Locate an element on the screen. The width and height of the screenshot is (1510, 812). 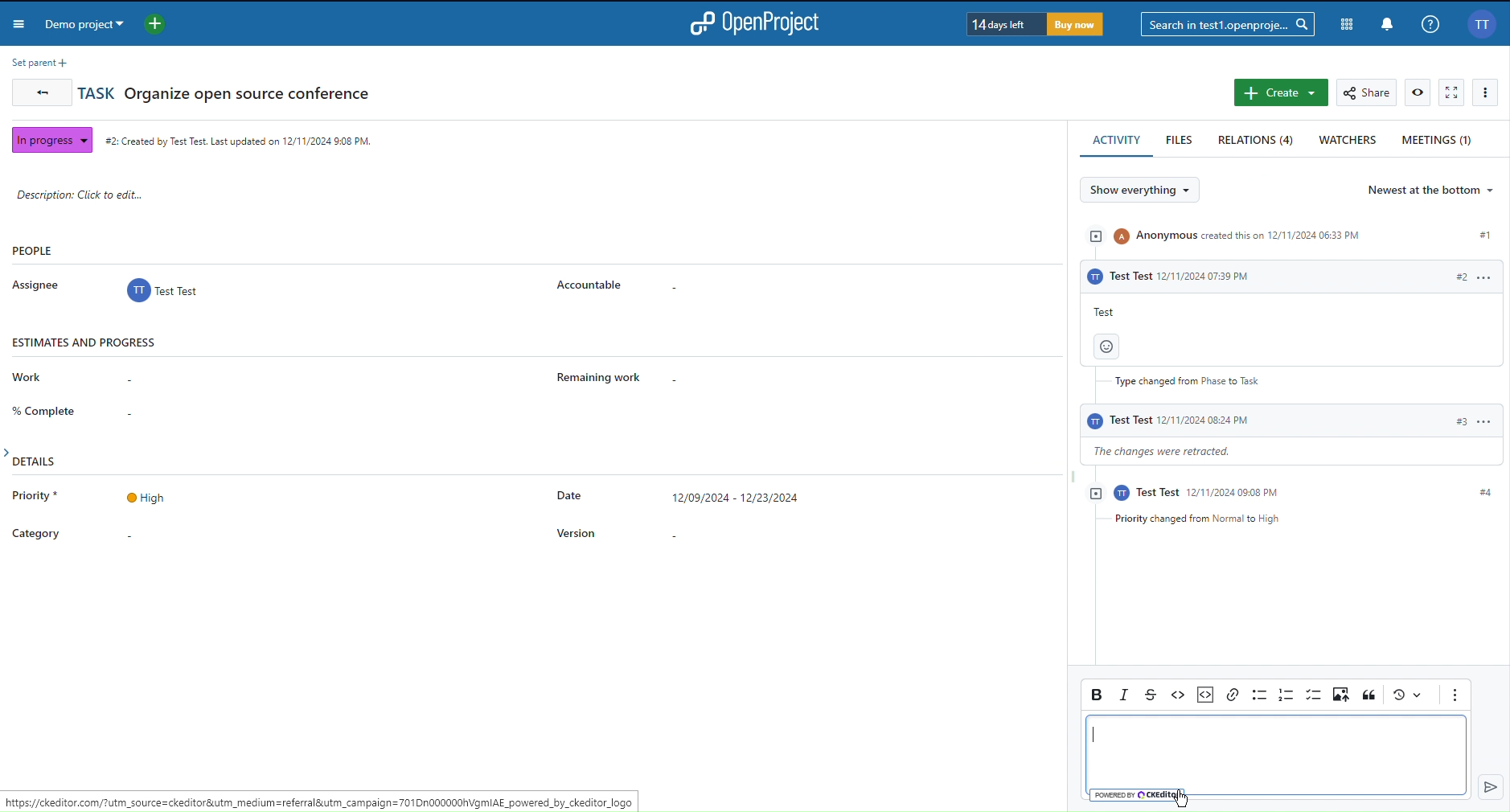
Send is located at coordinates (1486, 786).